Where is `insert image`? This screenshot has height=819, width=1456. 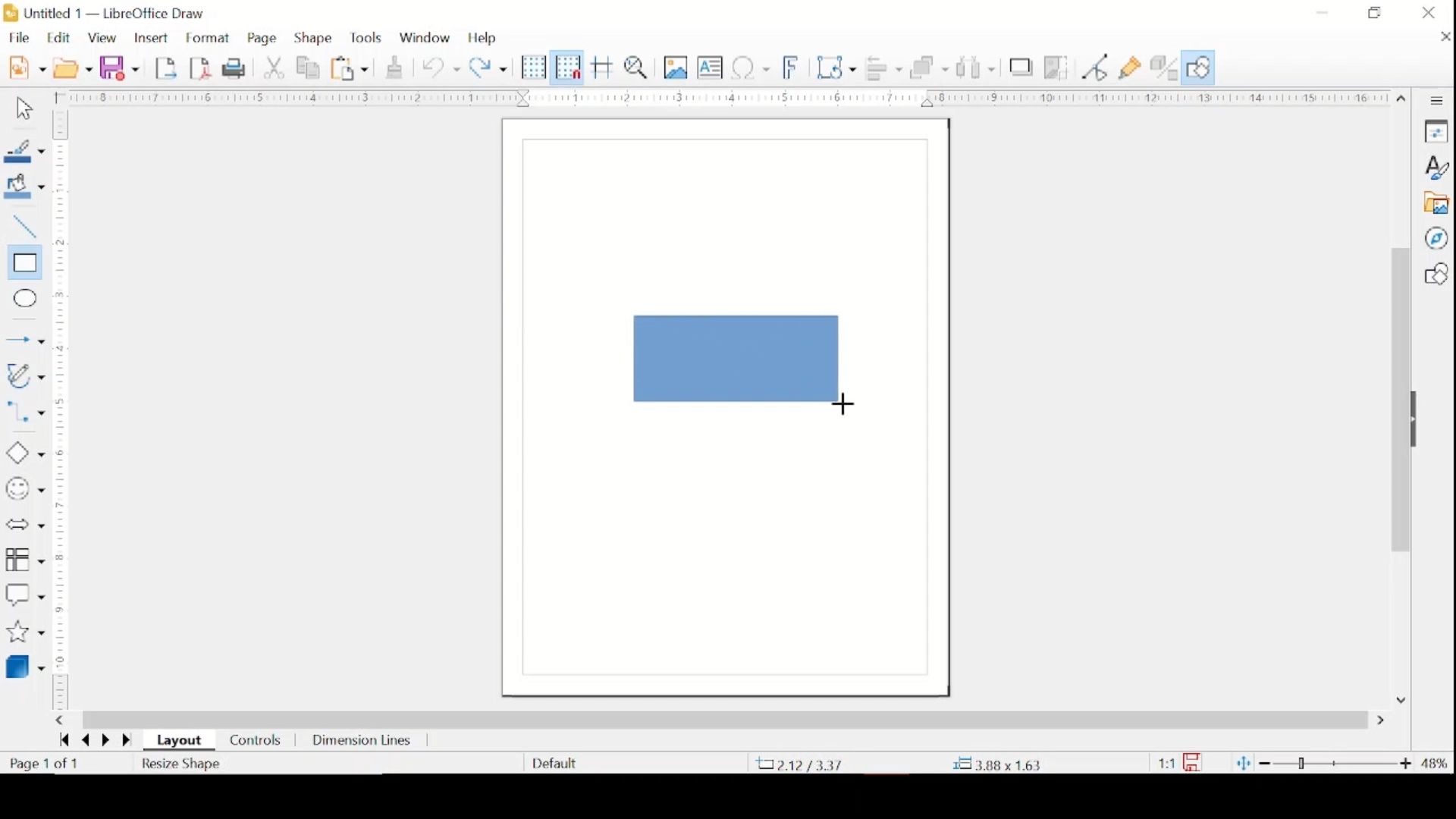
insert image is located at coordinates (677, 67).